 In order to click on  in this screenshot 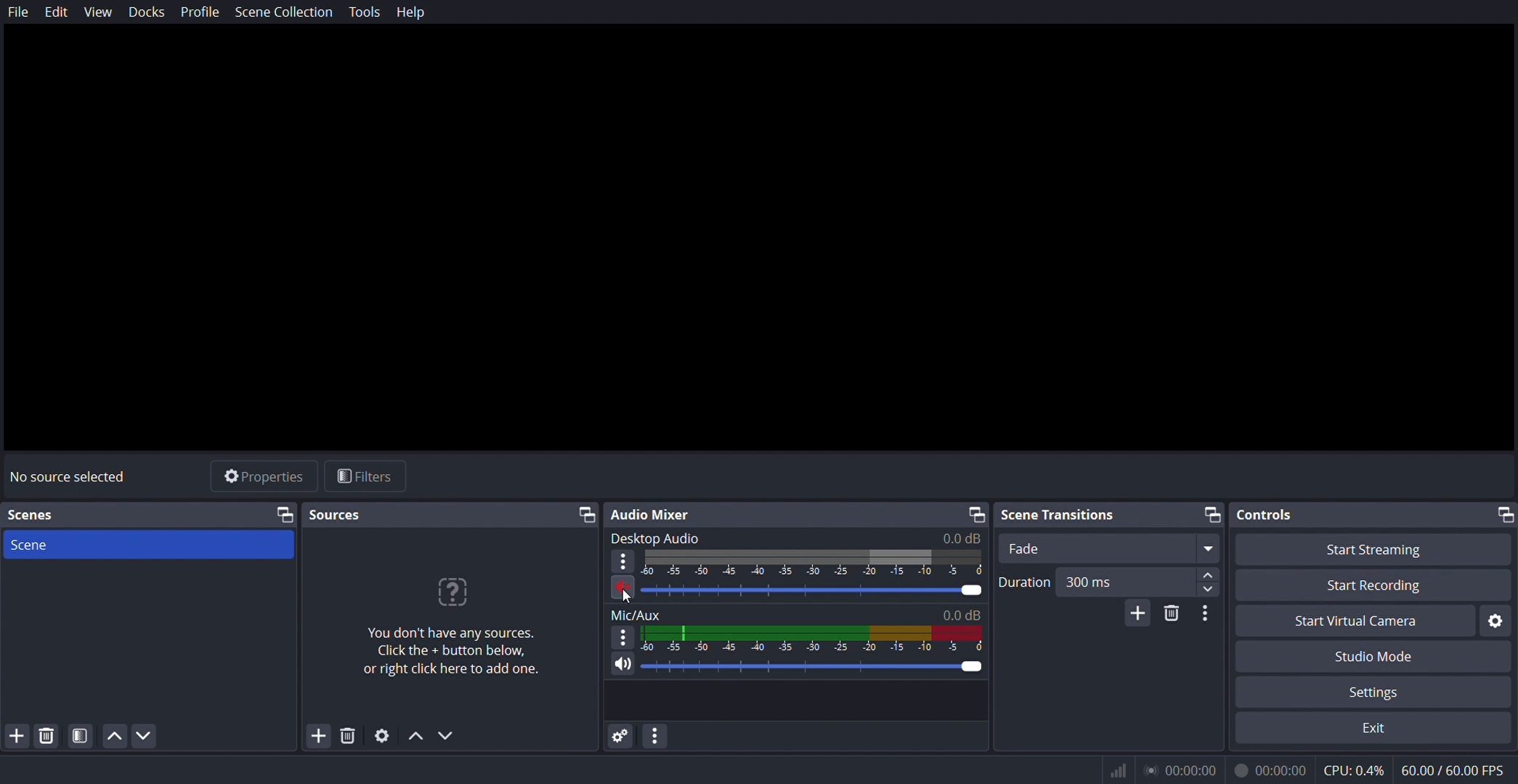, I will do `click(81, 735)`.